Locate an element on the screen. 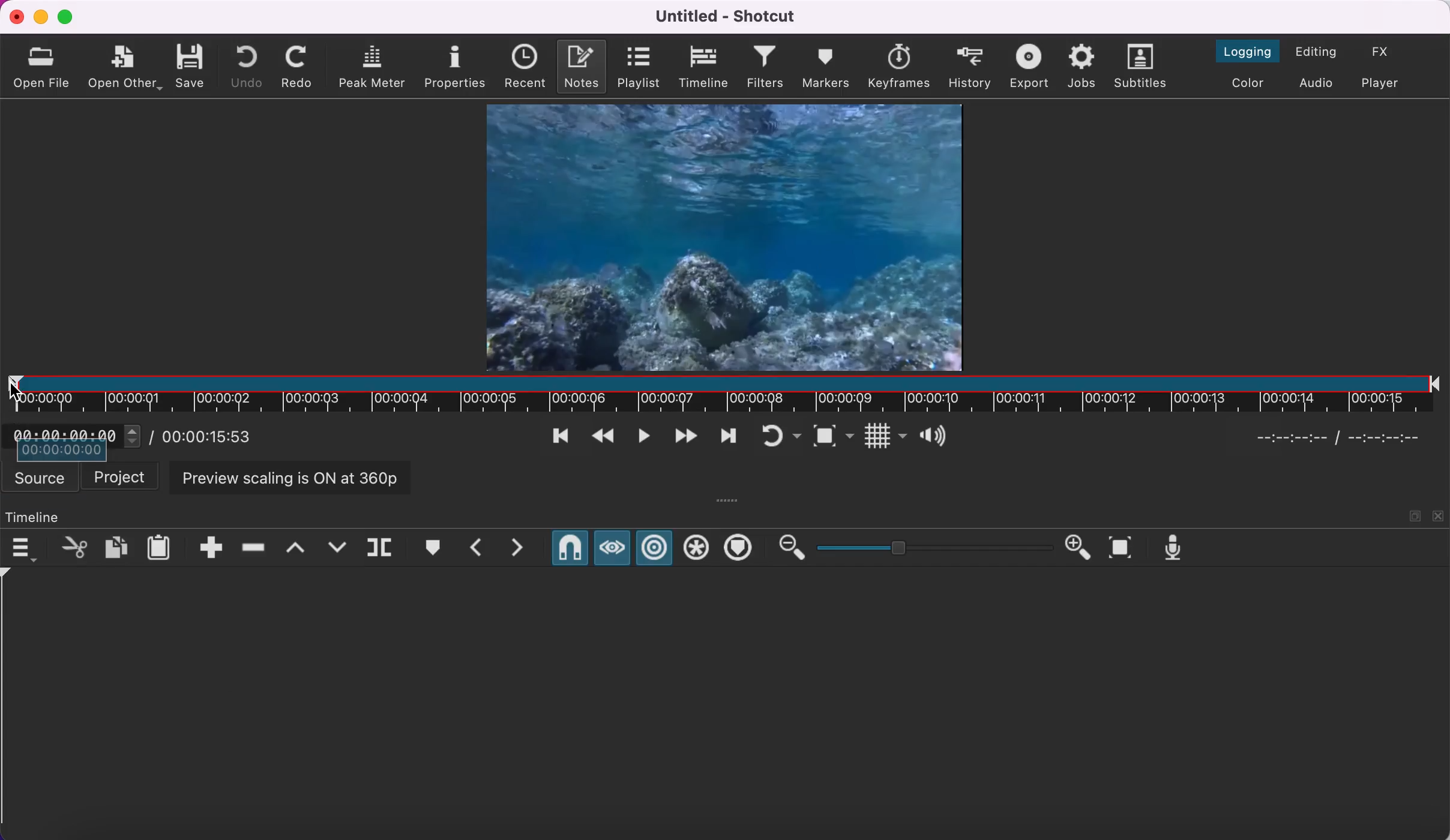  switch to audio layout is located at coordinates (1319, 83).